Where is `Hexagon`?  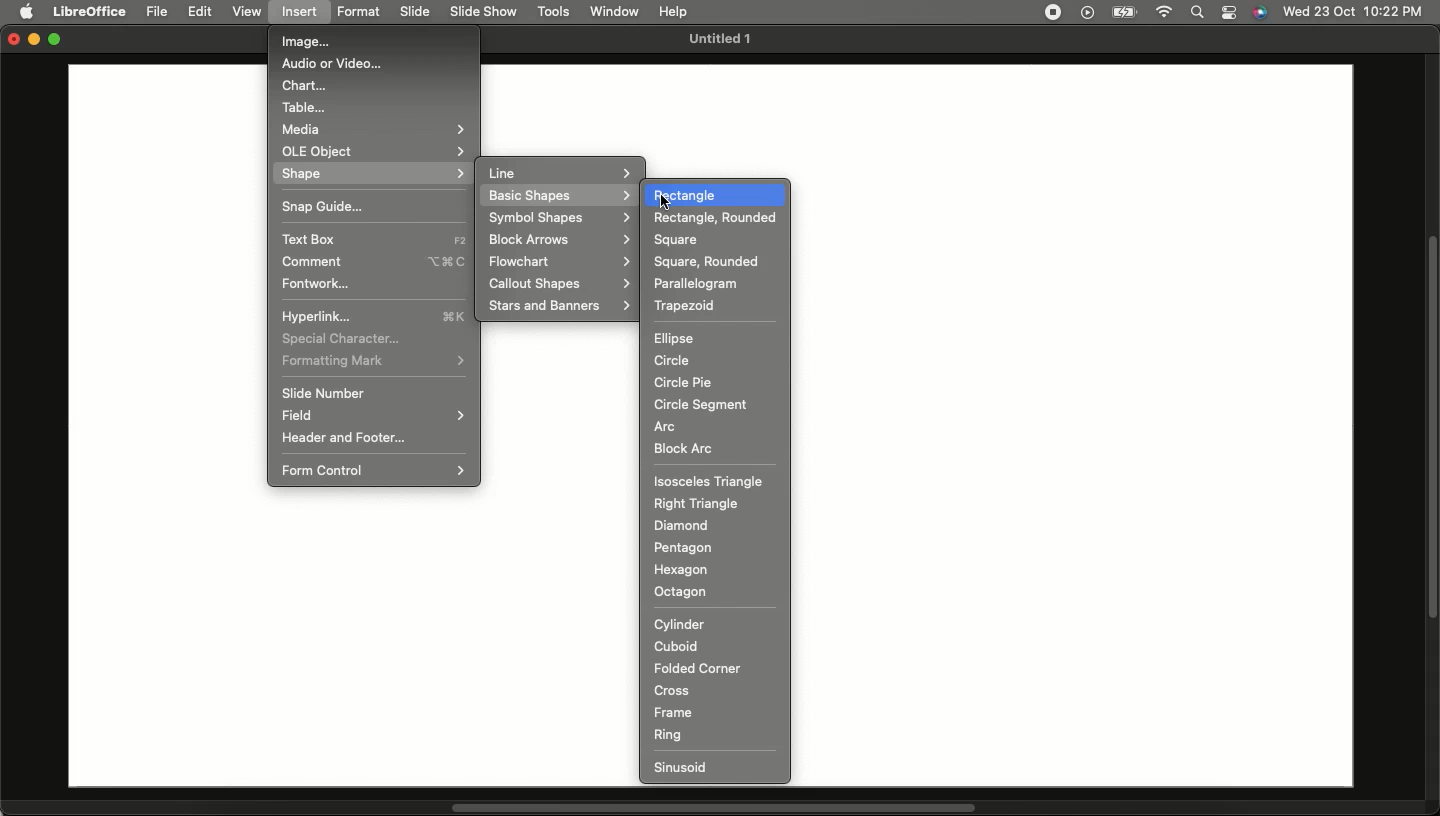 Hexagon is located at coordinates (683, 569).